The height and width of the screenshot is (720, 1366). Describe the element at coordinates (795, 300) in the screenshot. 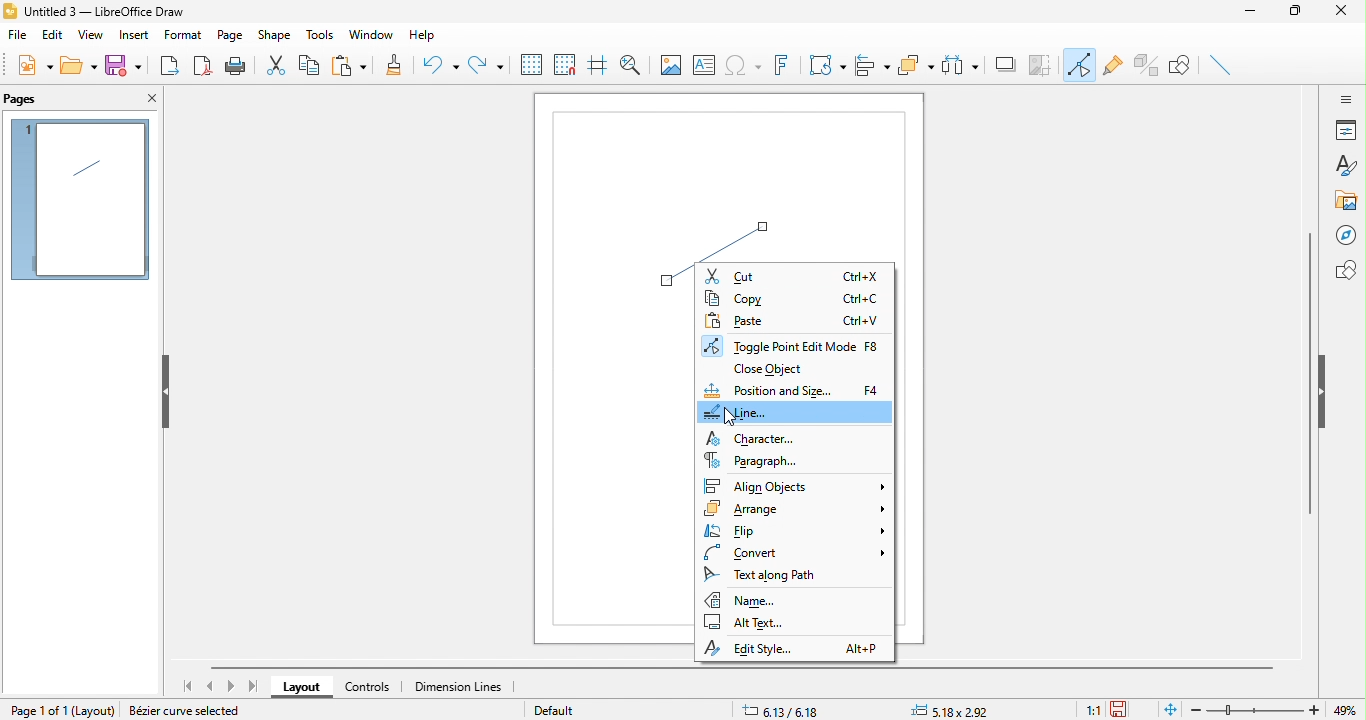

I see `copy` at that location.